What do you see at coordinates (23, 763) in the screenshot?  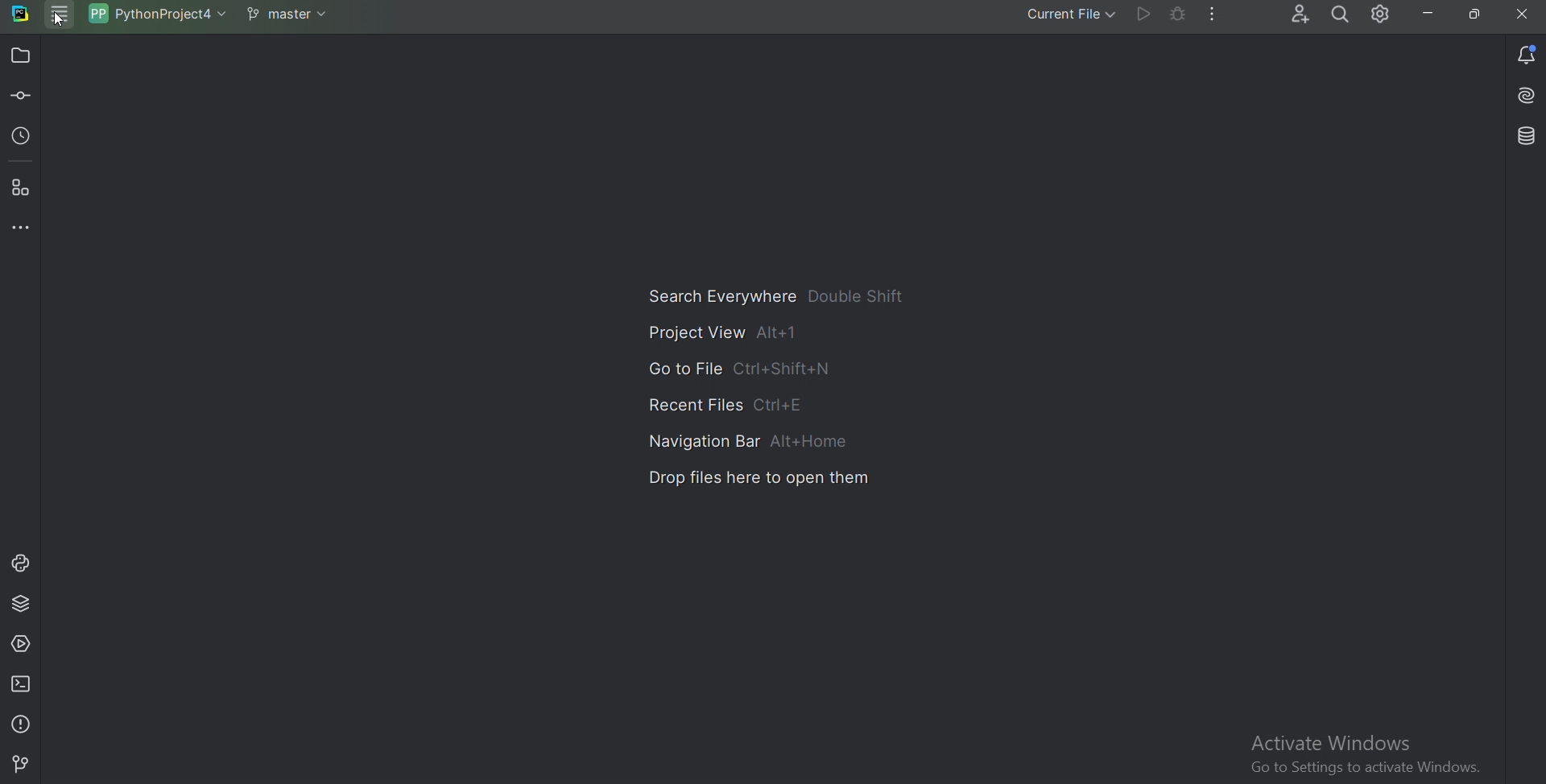 I see `Git` at bounding box center [23, 763].